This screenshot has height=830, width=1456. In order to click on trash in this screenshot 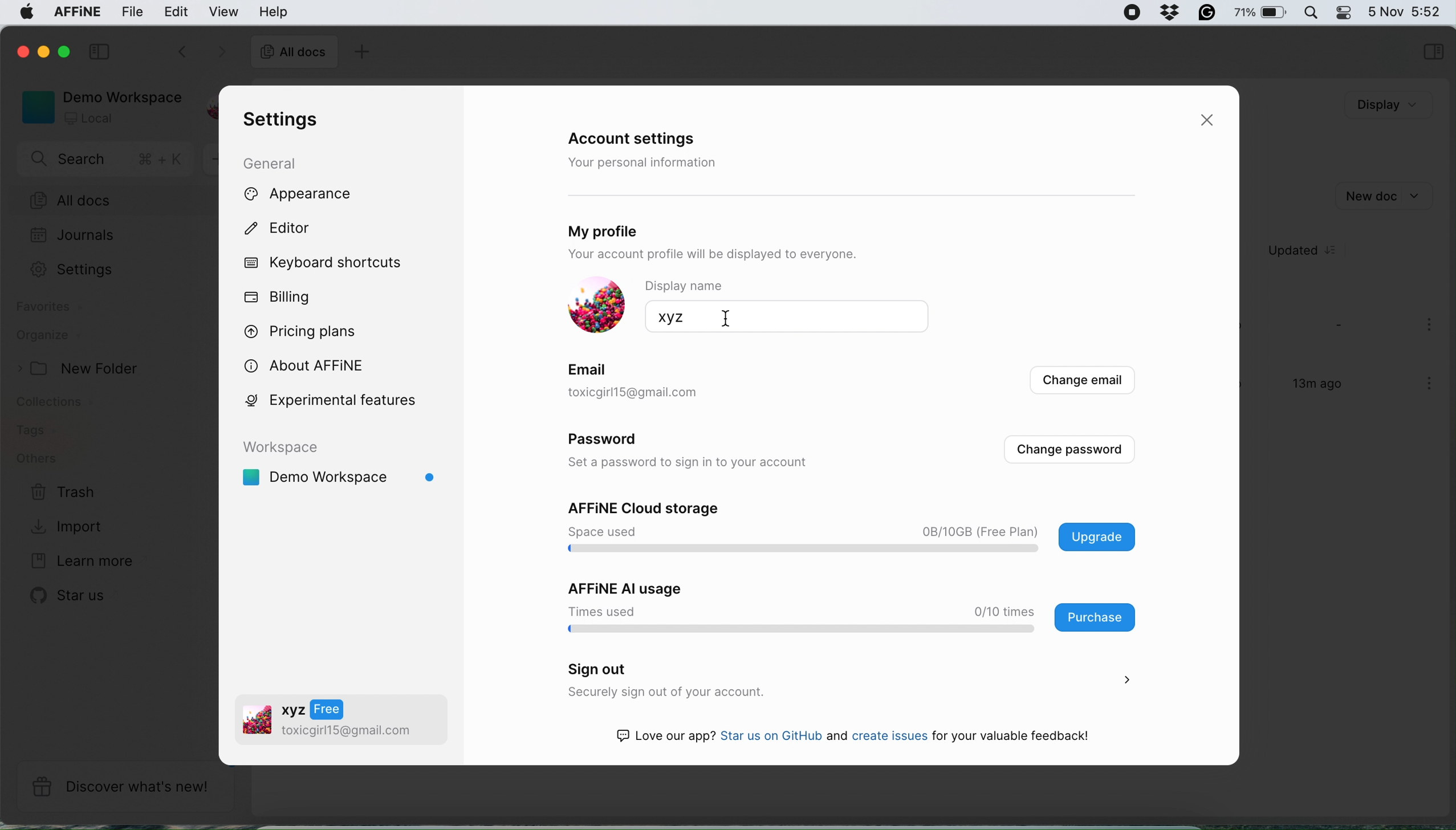, I will do `click(64, 493)`.